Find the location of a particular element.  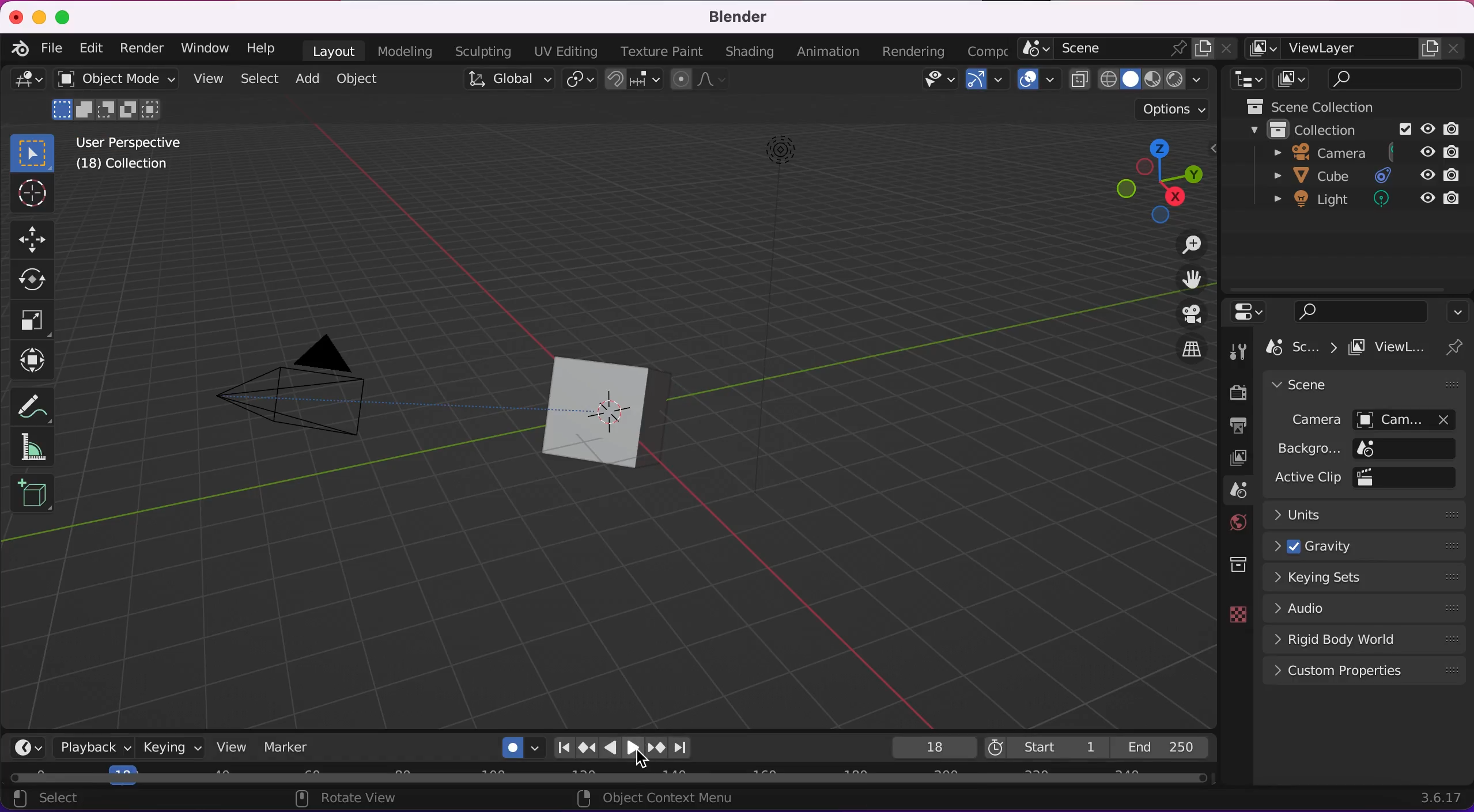

sculpting is located at coordinates (481, 52).